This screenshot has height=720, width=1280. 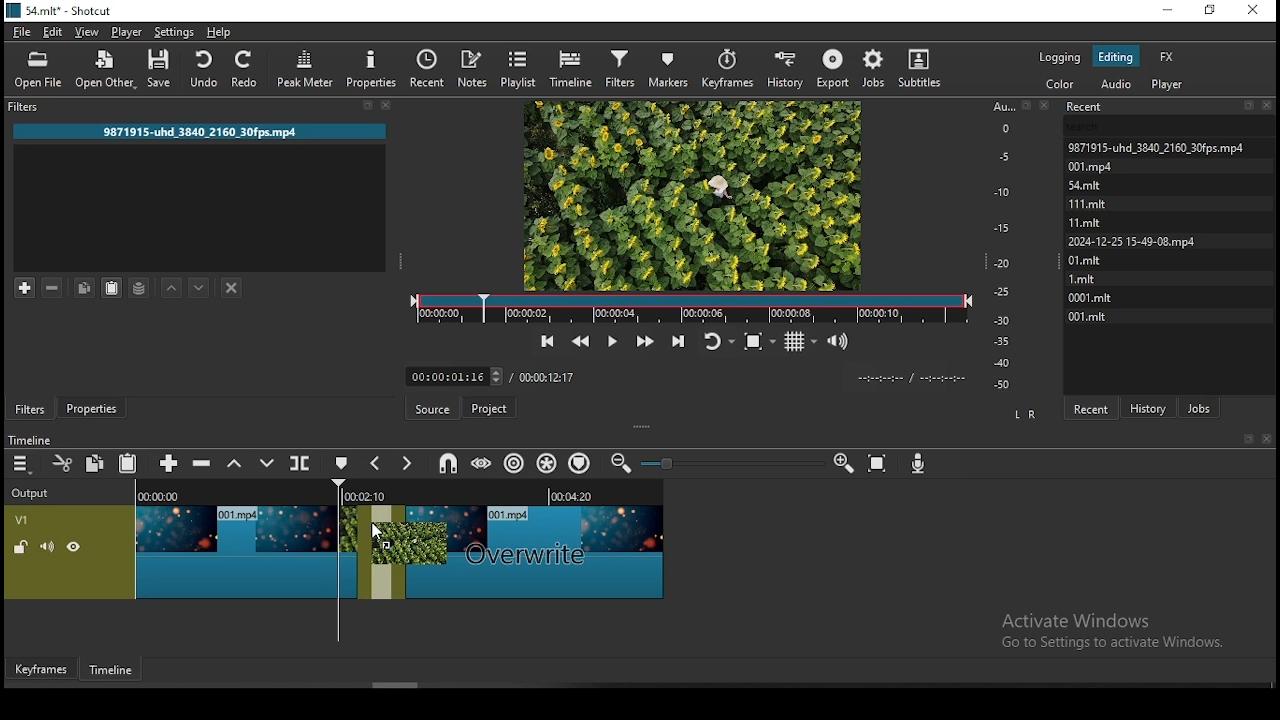 What do you see at coordinates (209, 133) in the screenshot?
I see `9871915-uhd 3840 2160 30fps.mp4` at bounding box center [209, 133].